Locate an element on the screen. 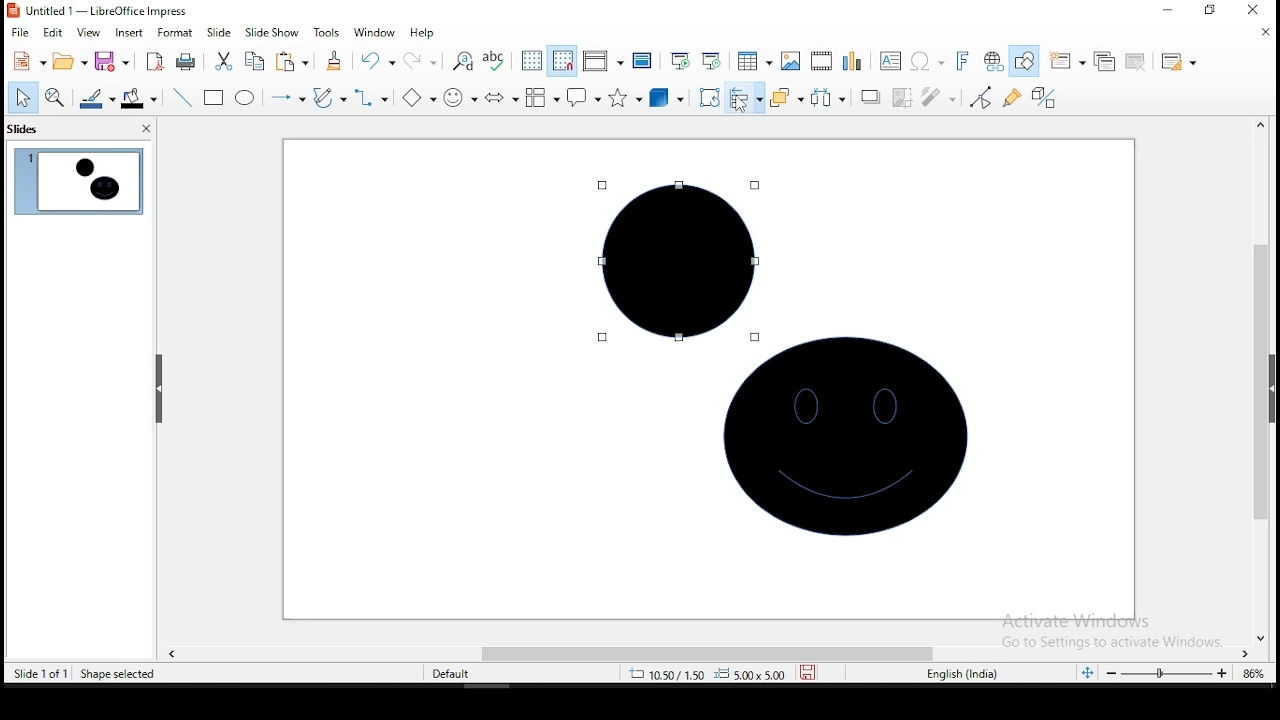 The height and width of the screenshot is (720, 1280). display grid is located at coordinates (532, 62).